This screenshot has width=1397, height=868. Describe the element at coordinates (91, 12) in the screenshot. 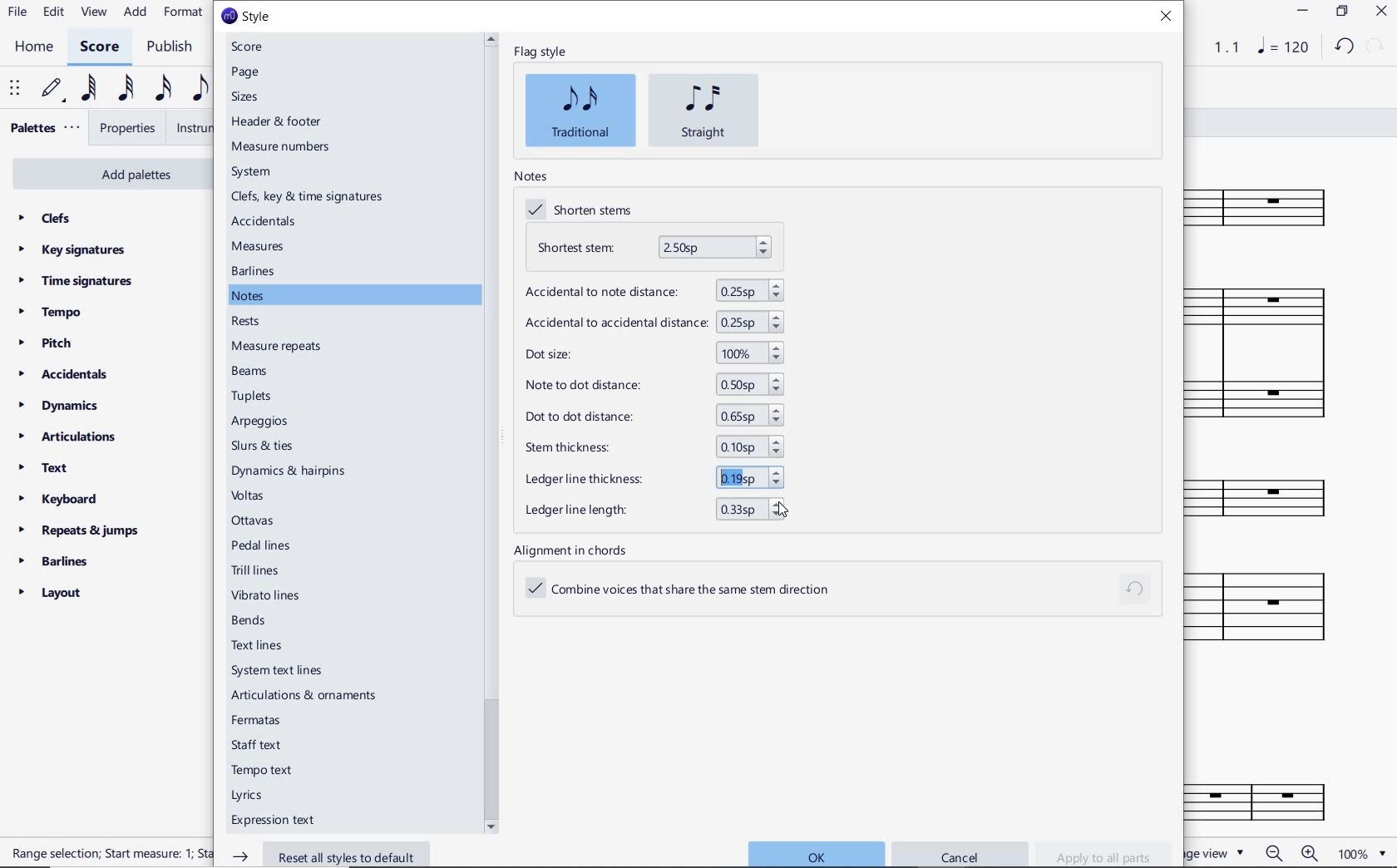

I see `view` at that location.